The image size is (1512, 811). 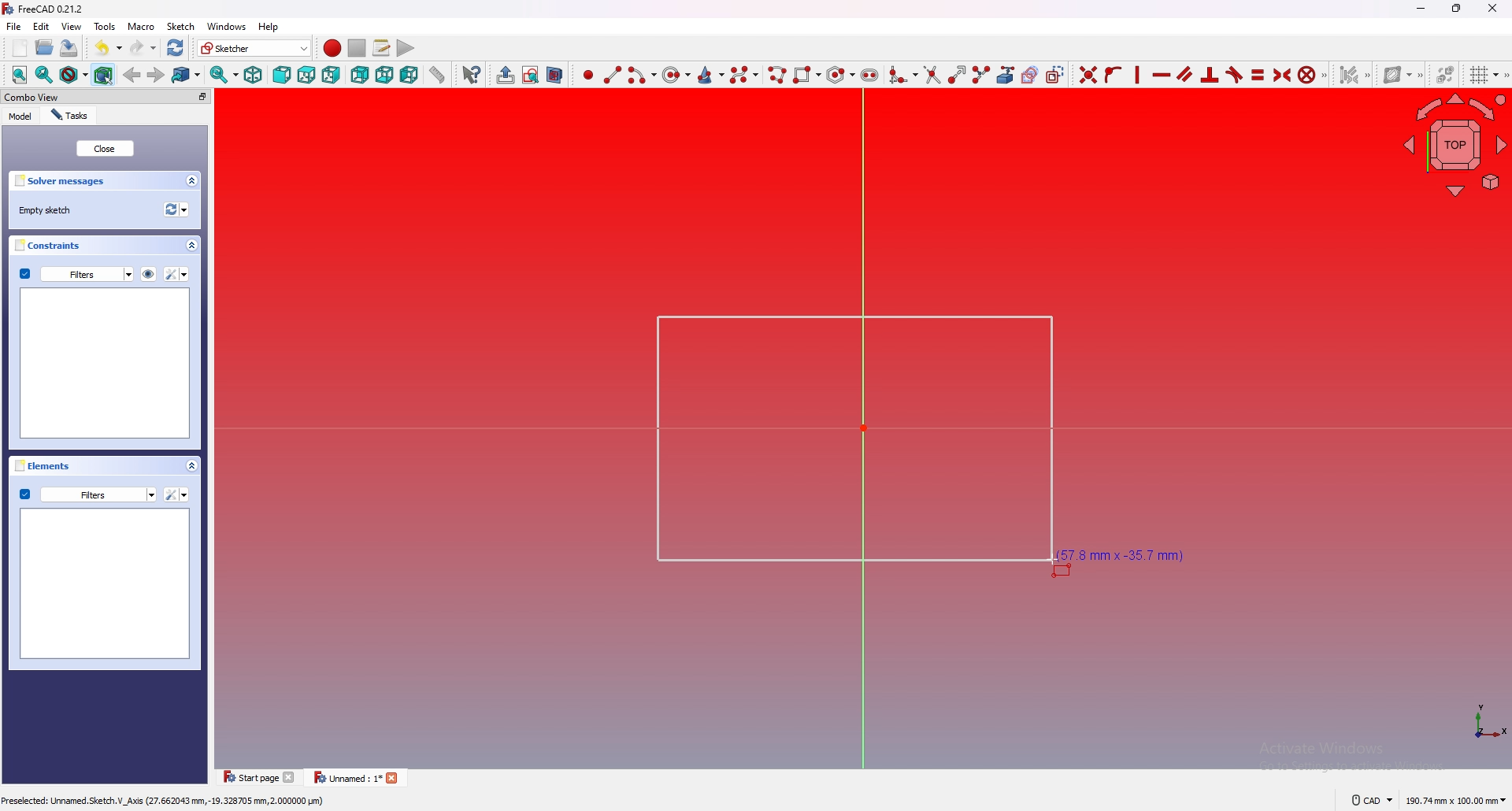 What do you see at coordinates (588, 76) in the screenshot?
I see `create point` at bounding box center [588, 76].